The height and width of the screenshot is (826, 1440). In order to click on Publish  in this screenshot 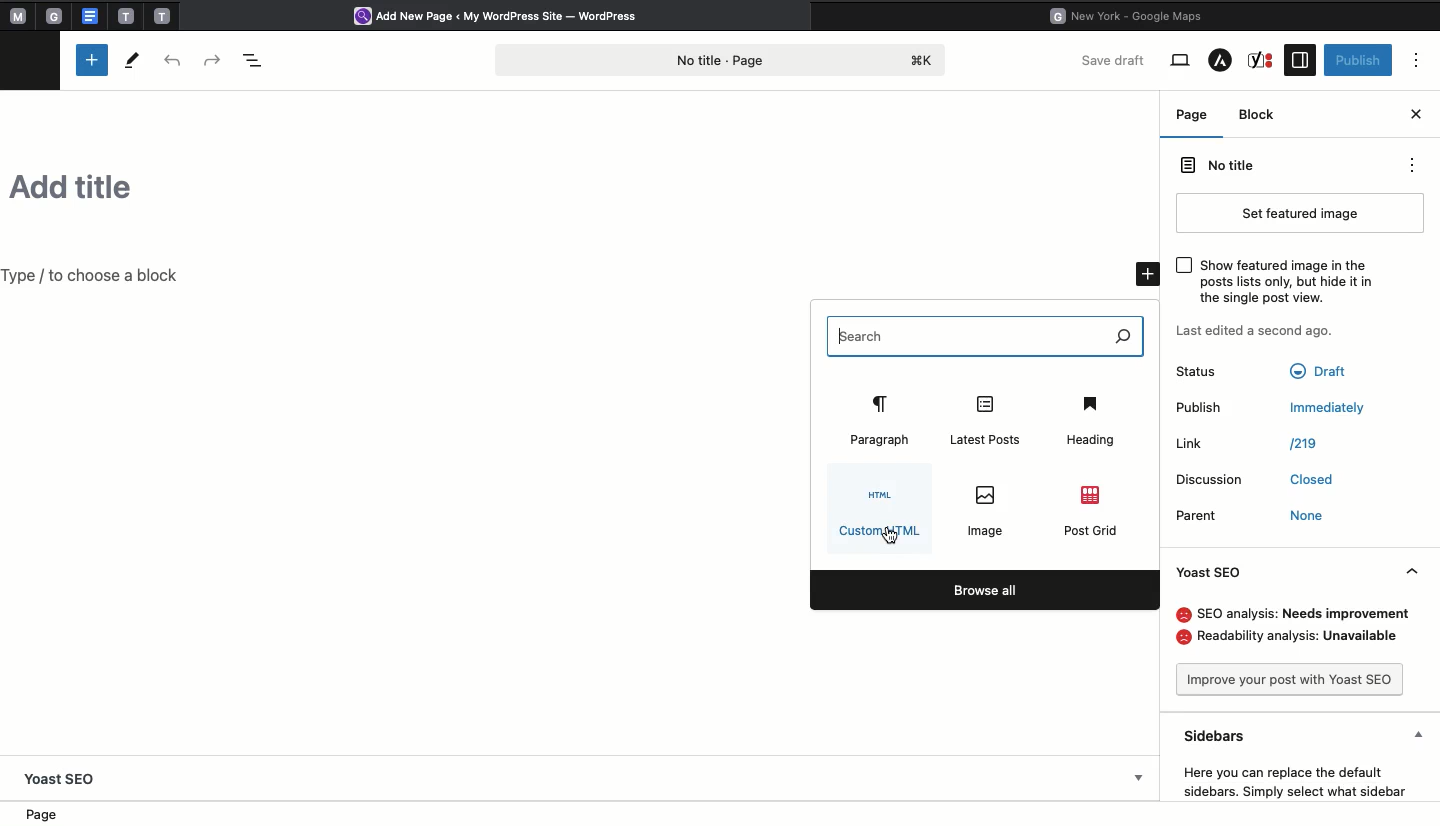, I will do `click(1359, 59)`.